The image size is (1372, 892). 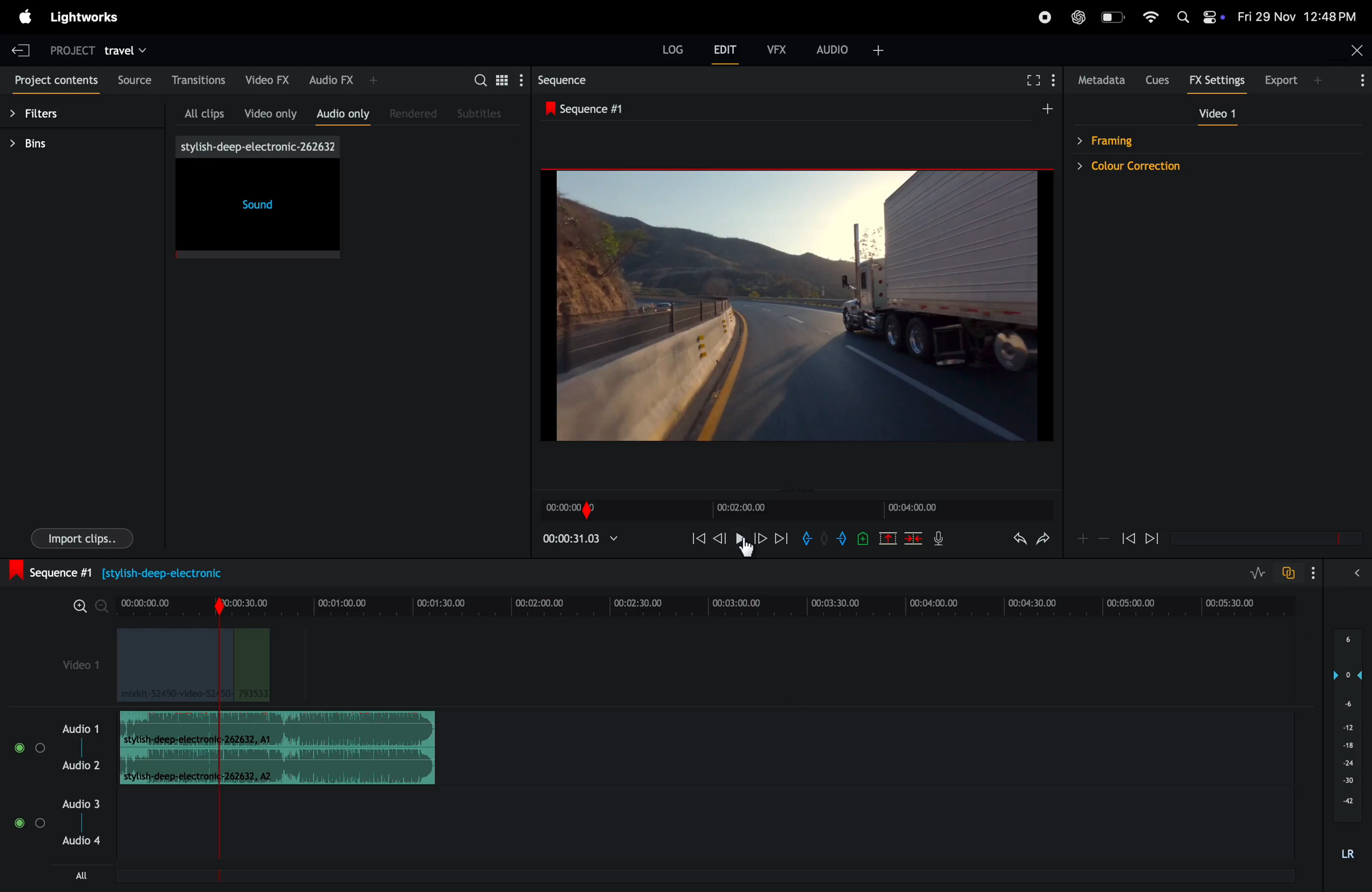 I want to click on search, so click(x=478, y=79).